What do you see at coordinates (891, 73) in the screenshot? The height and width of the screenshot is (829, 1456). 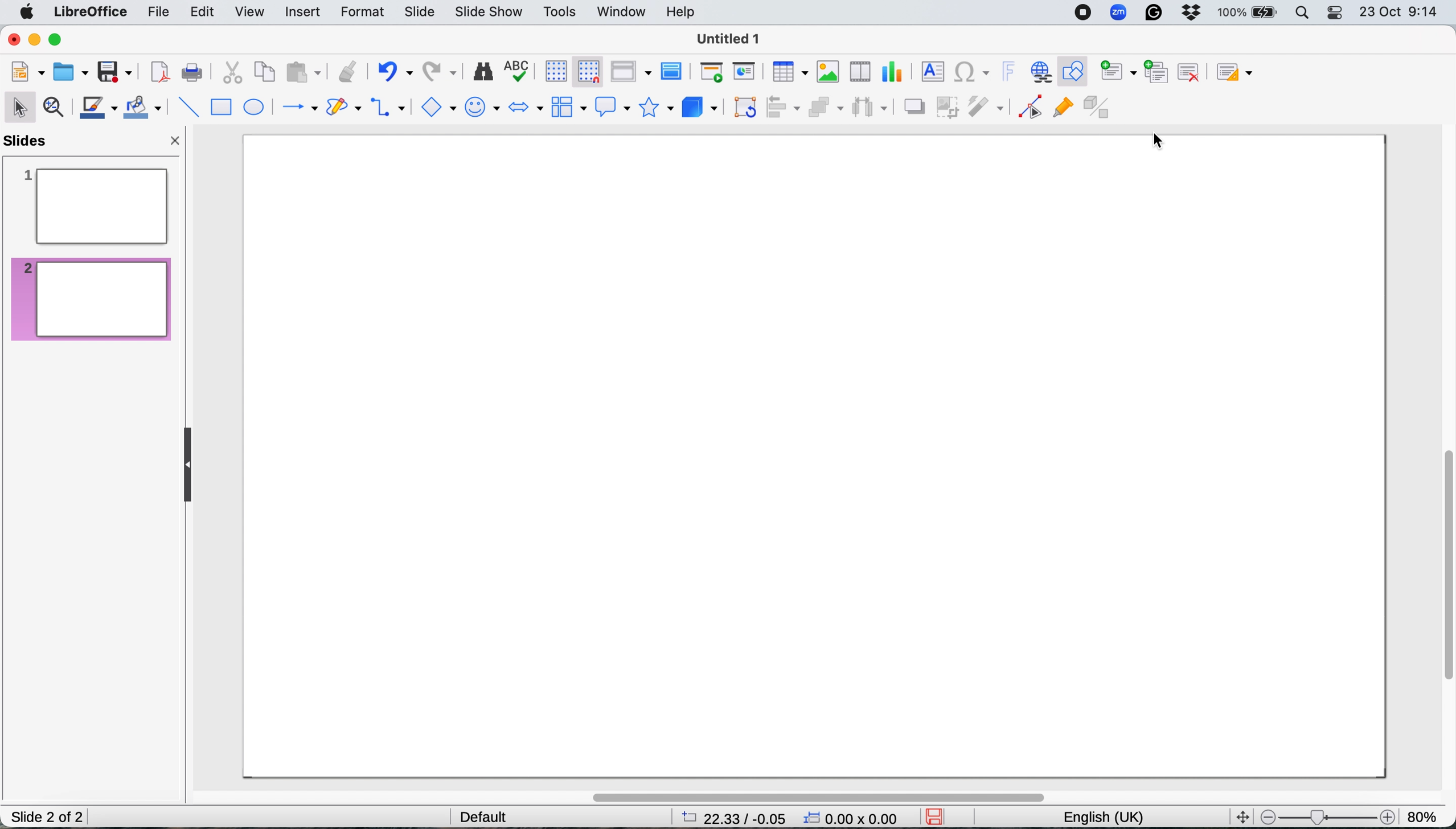 I see `insert chart` at bounding box center [891, 73].